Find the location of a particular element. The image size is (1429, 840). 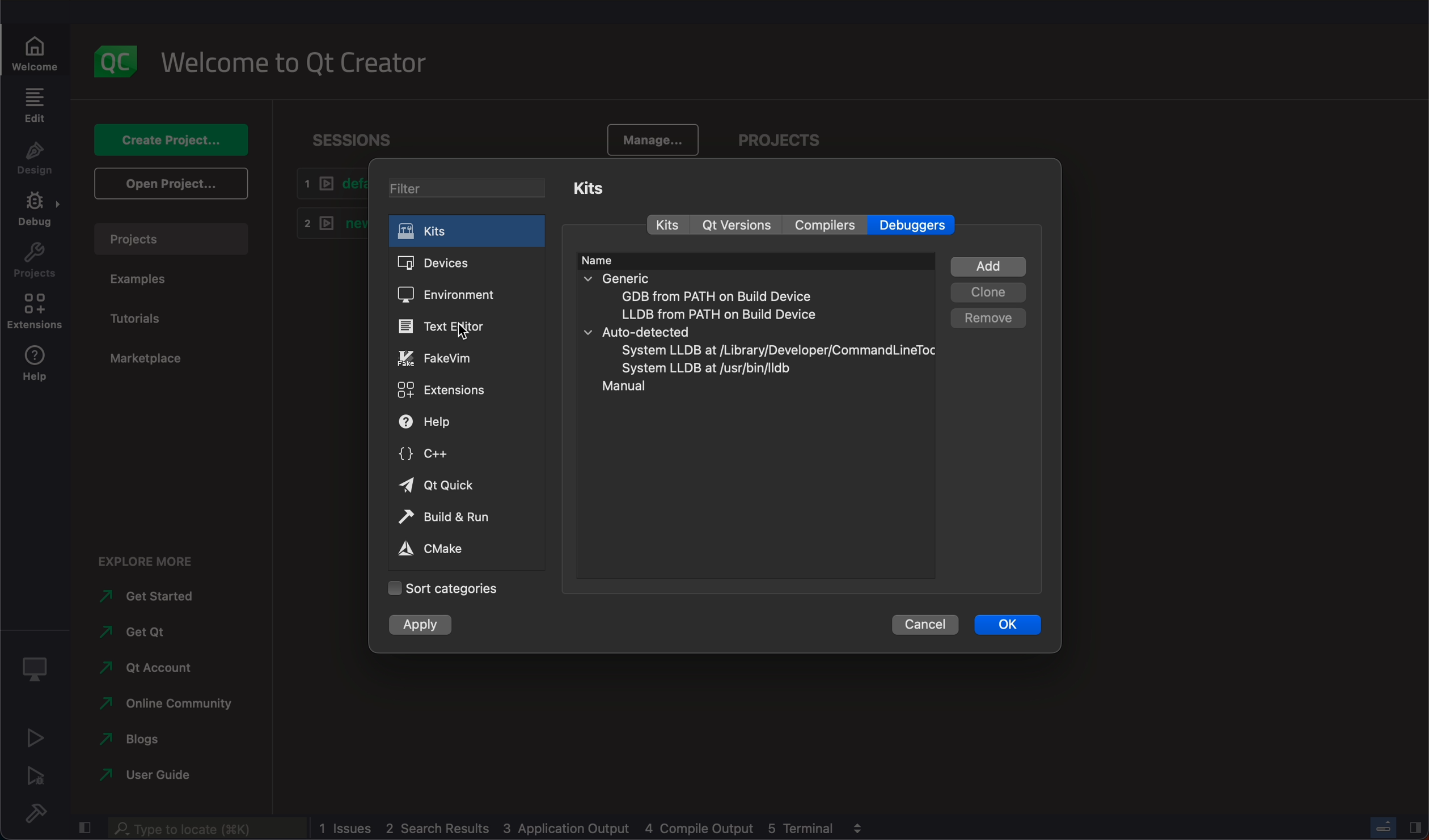

edit is located at coordinates (34, 106).